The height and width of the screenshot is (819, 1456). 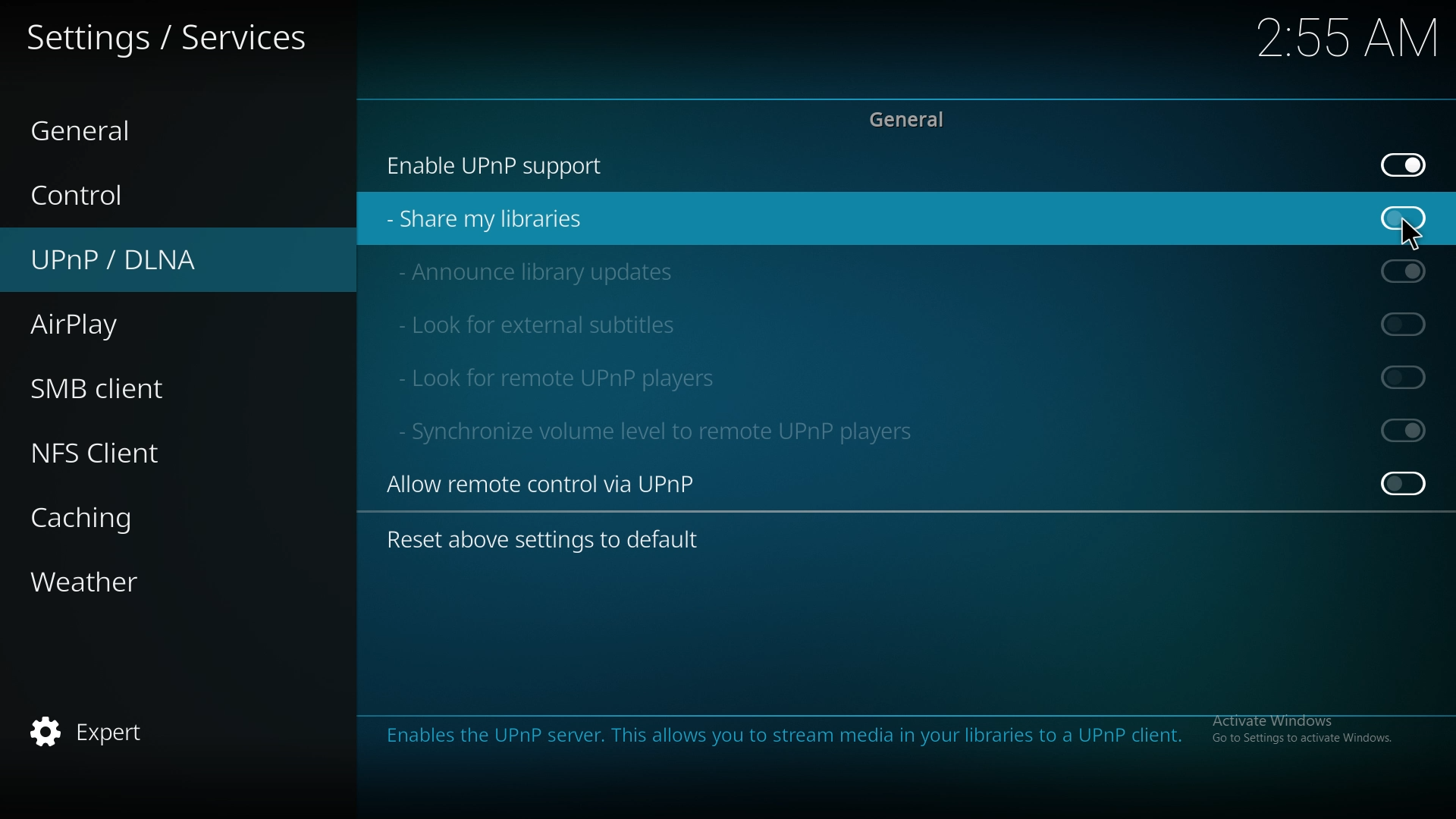 I want to click on reset, so click(x=555, y=540).